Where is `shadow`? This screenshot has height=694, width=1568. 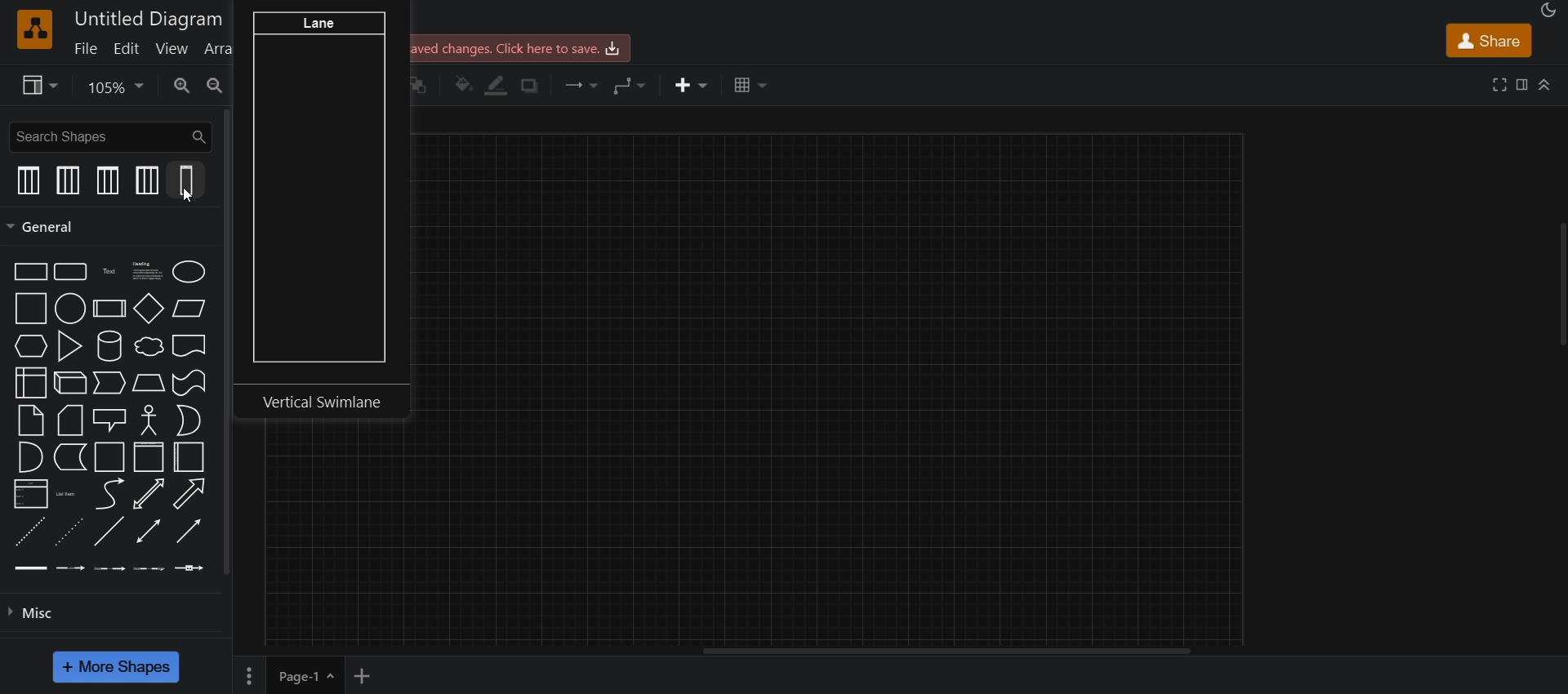
shadow is located at coordinates (536, 87).